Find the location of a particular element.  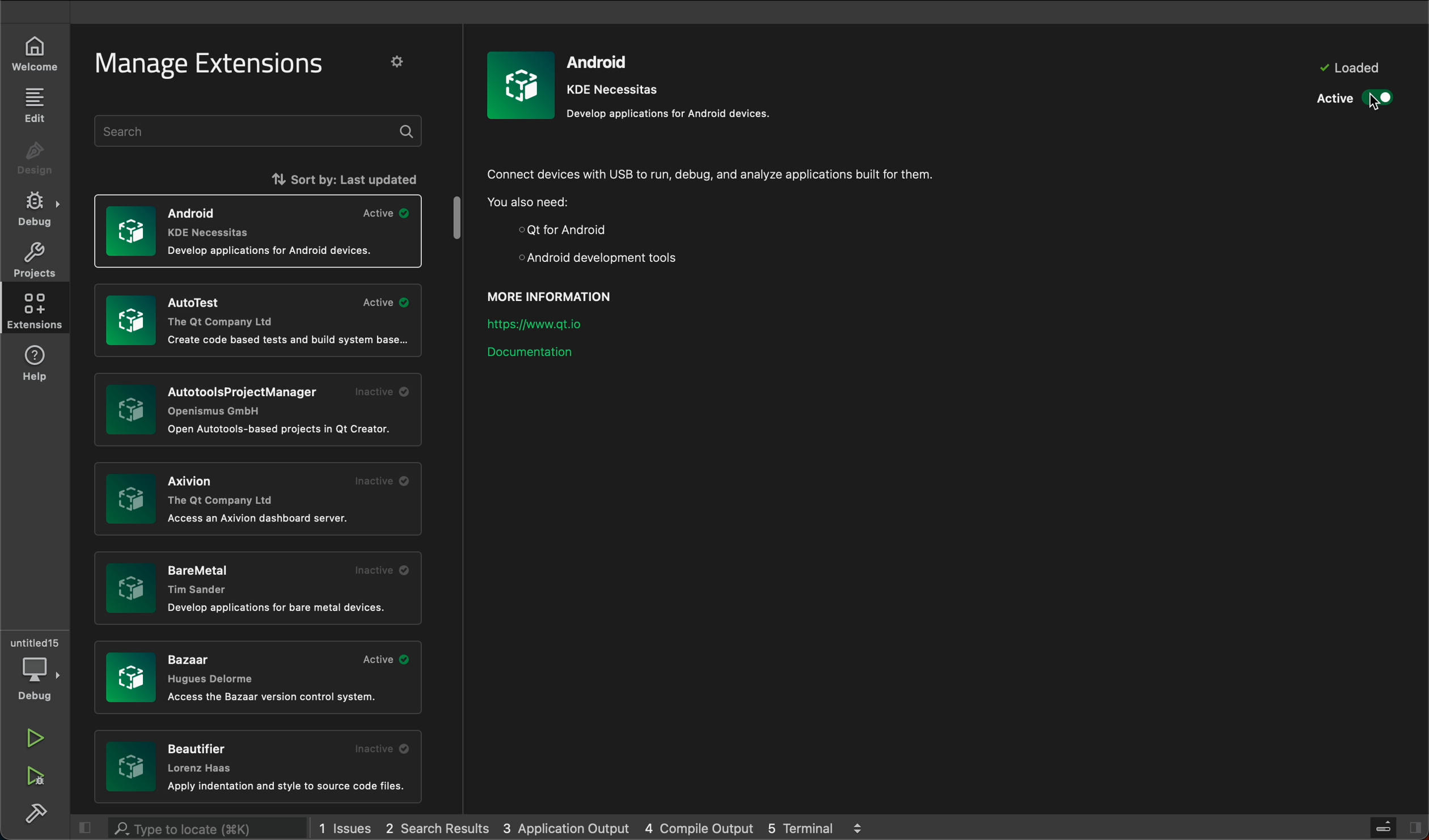

extensions list is located at coordinates (260, 768).